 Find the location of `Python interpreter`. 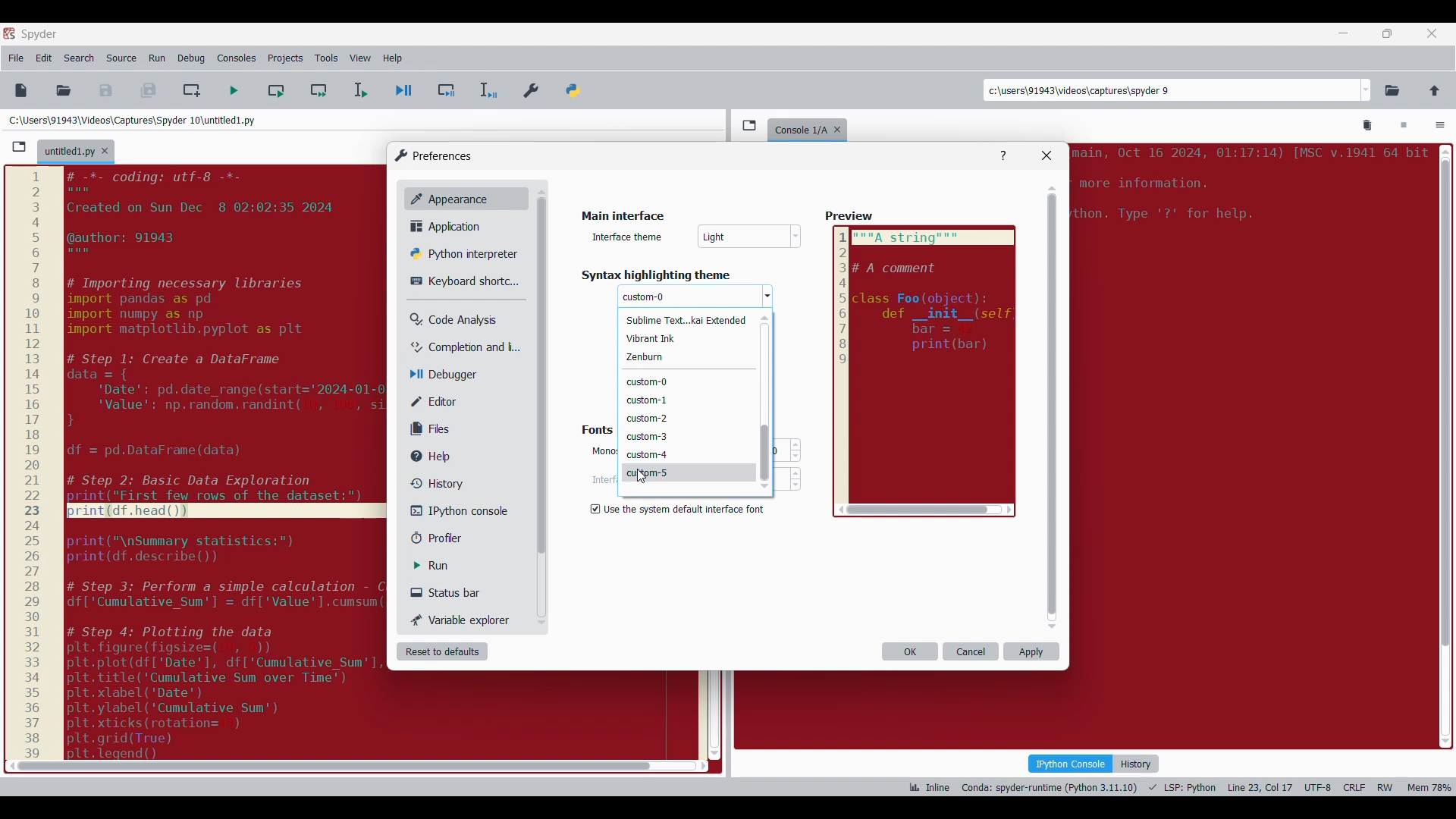

Python interpreter is located at coordinates (460, 253).